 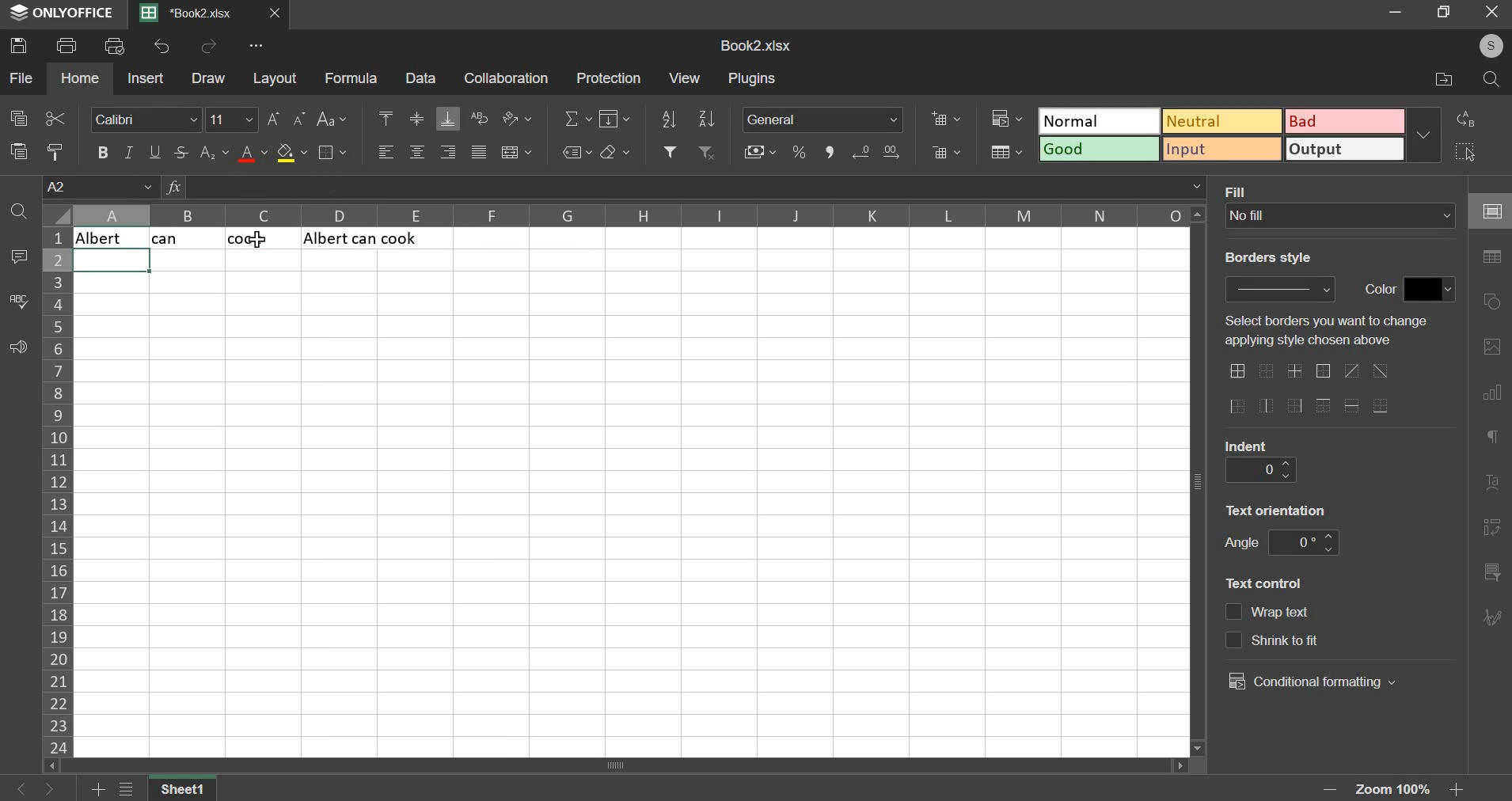 I want to click on protection, so click(x=612, y=78).